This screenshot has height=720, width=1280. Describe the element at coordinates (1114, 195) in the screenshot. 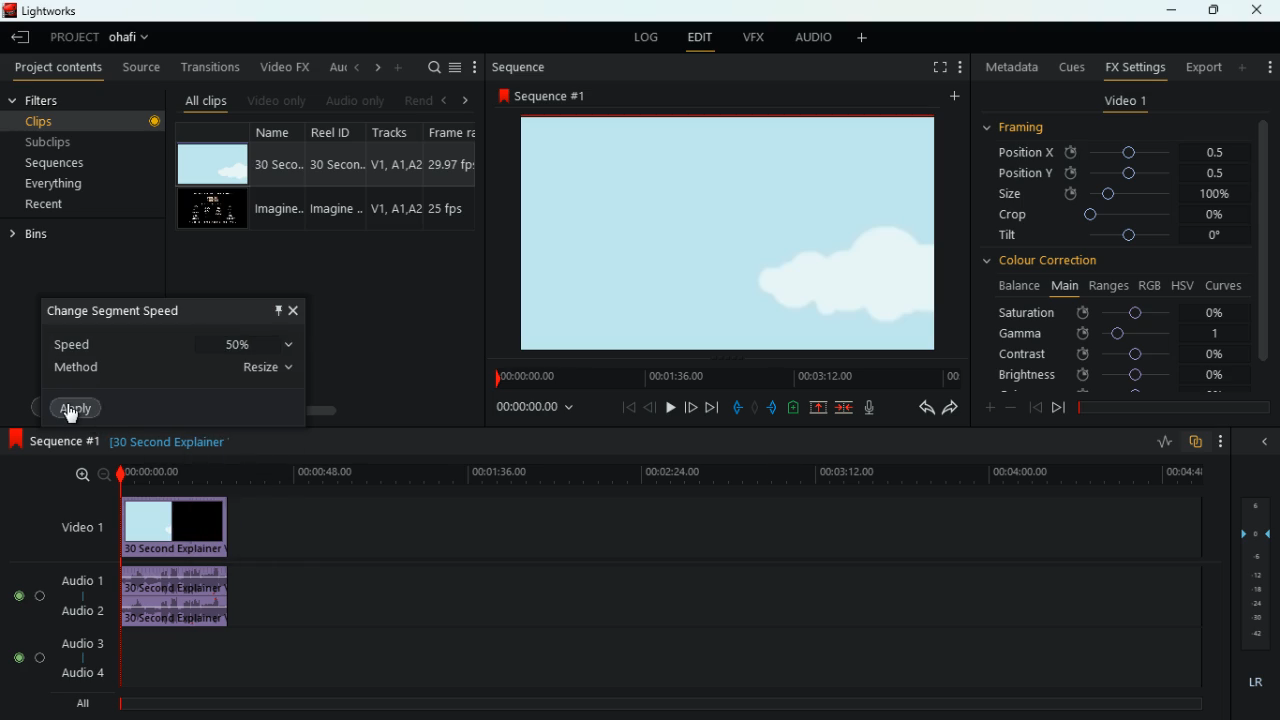

I see `size` at that location.